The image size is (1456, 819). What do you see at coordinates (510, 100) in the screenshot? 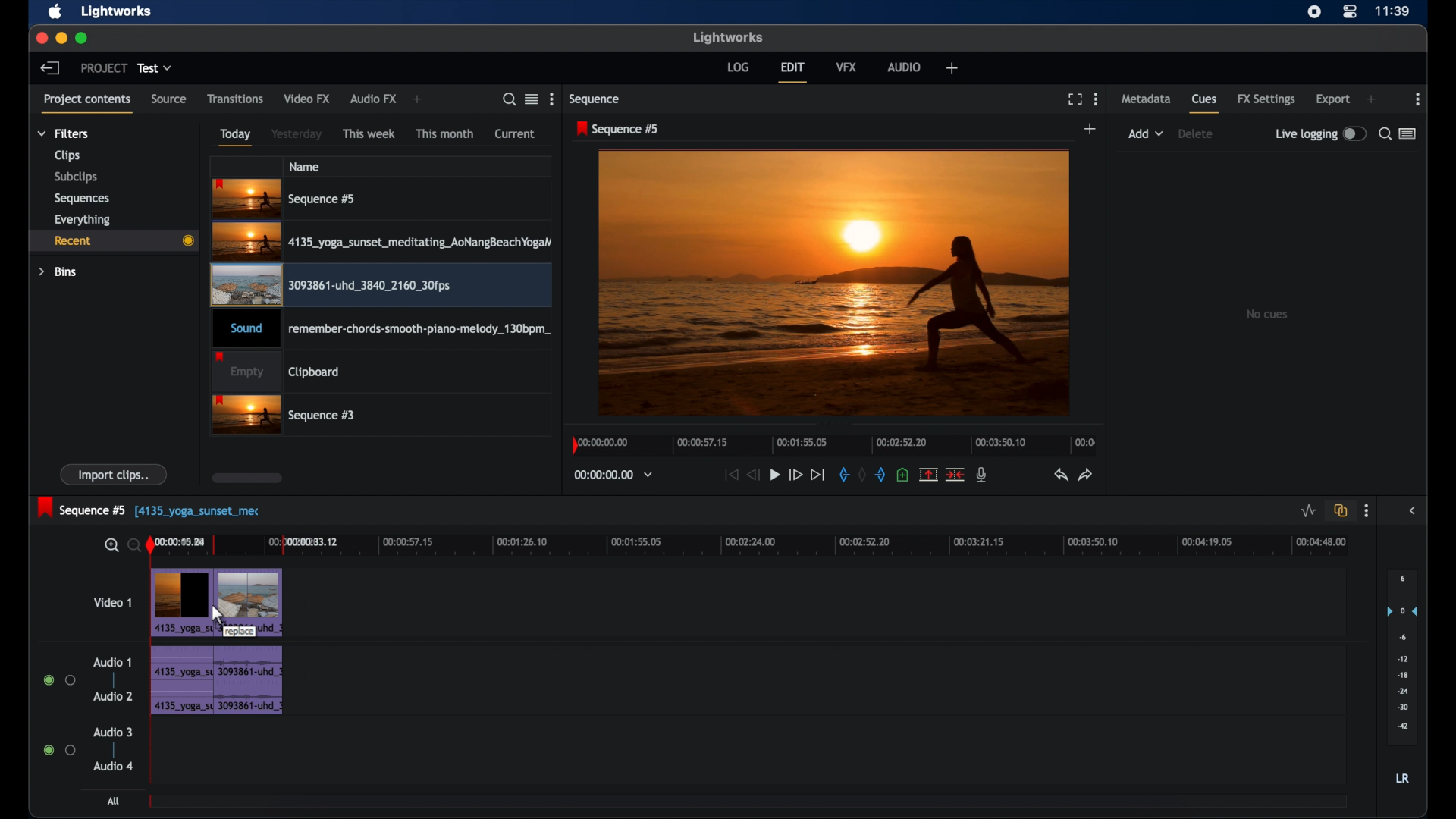
I see `search` at bounding box center [510, 100].